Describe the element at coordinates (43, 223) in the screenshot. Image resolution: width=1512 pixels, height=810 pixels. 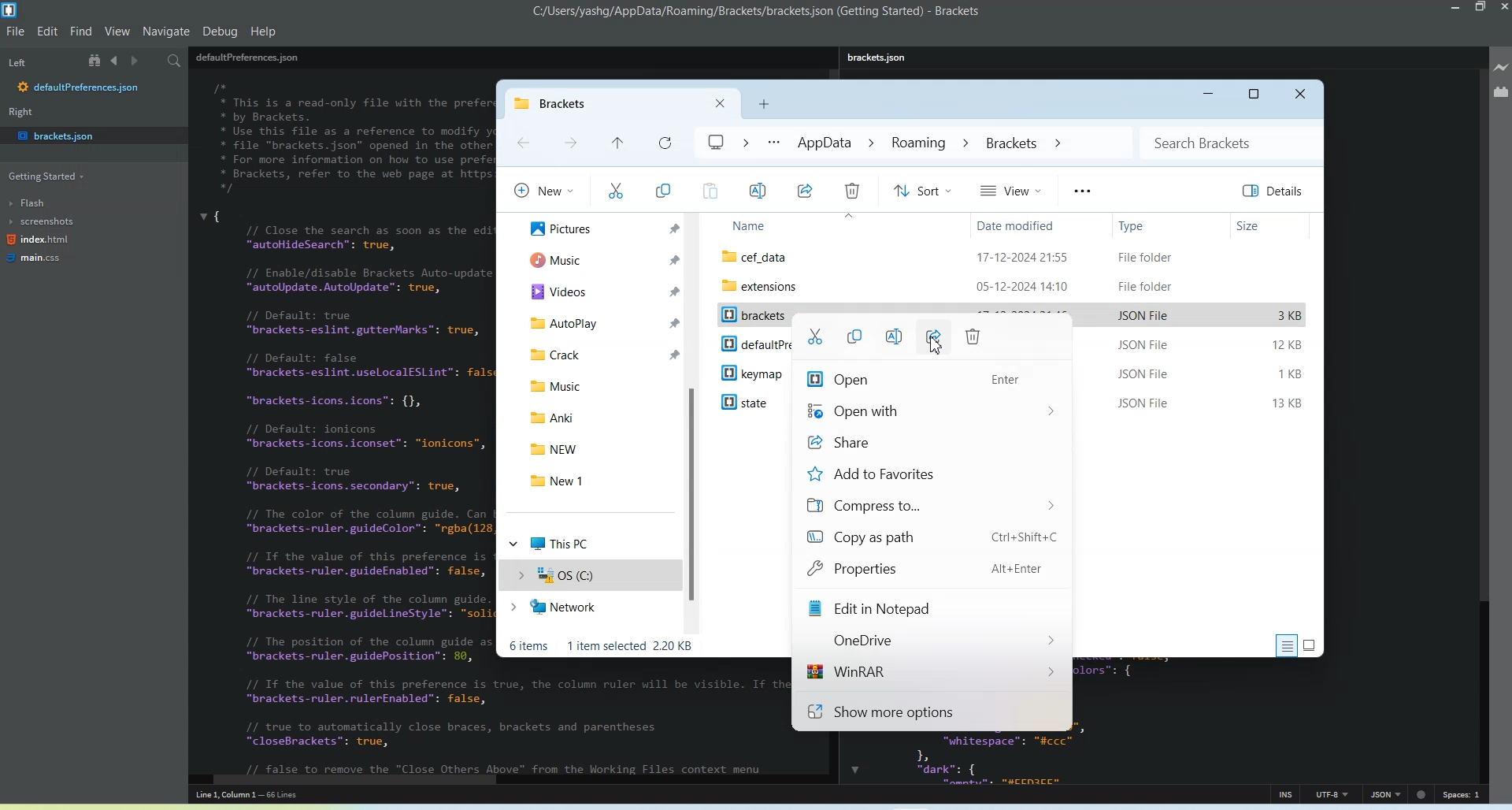
I see `screenshots` at that location.